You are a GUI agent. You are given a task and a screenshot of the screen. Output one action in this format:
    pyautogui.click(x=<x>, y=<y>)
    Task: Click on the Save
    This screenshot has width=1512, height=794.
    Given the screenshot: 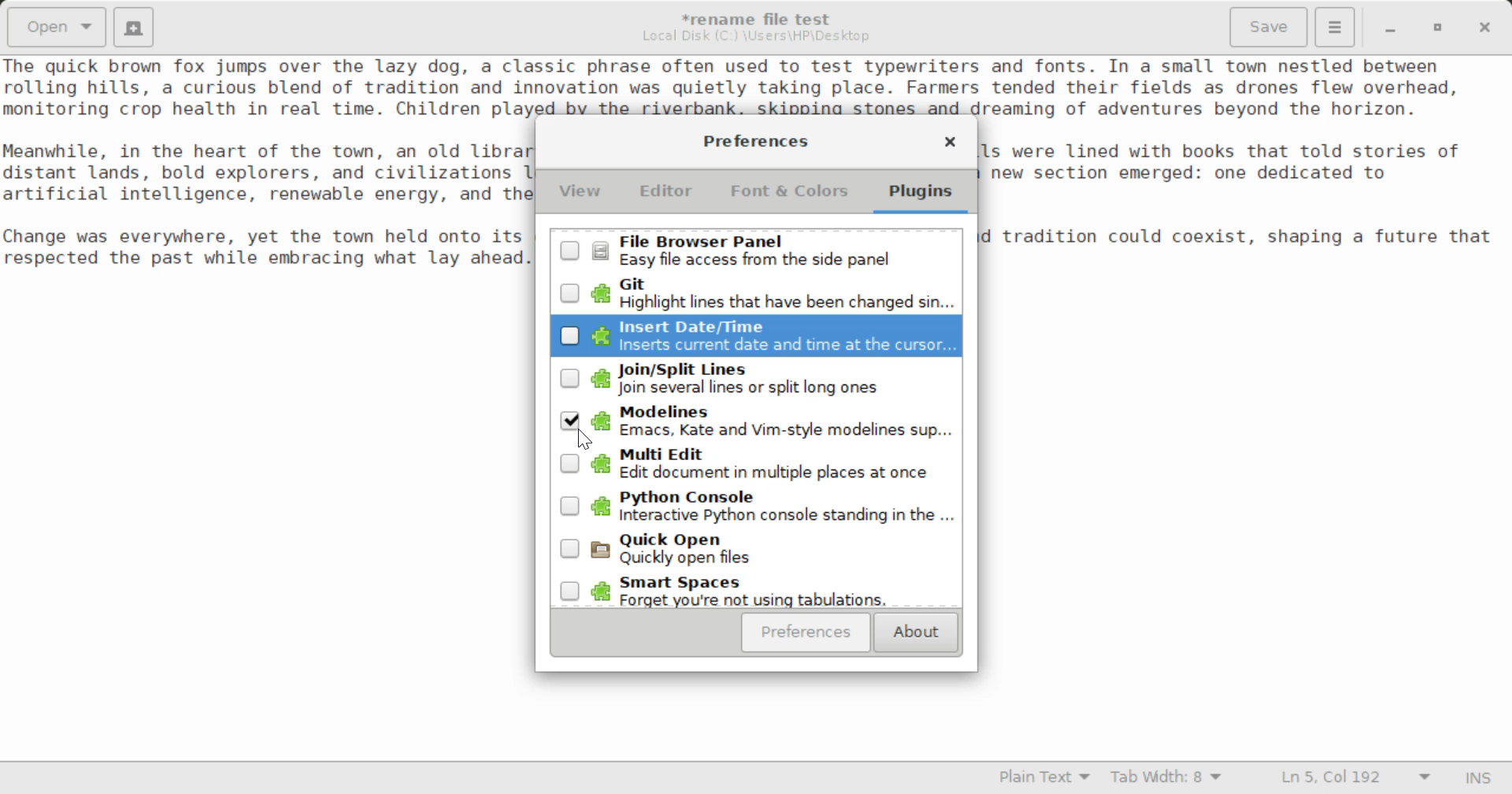 What is the action you would take?
    pyautogui.click(x=1270, y=28)
    